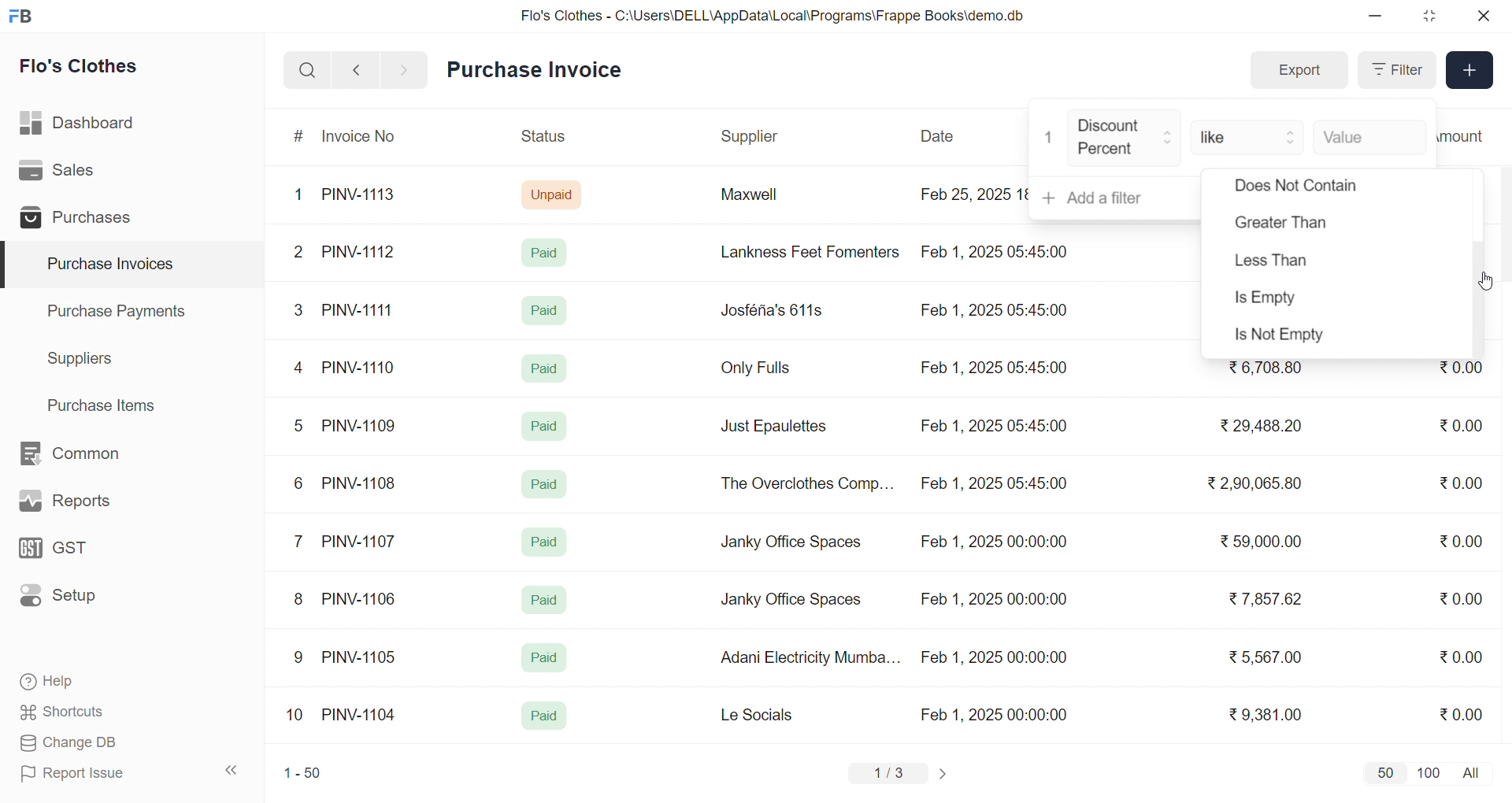 The image size is (1512, 803). Describe the element at coordinates (769, 308) in the screenshot. I see `Josféria's 611s` at that location.